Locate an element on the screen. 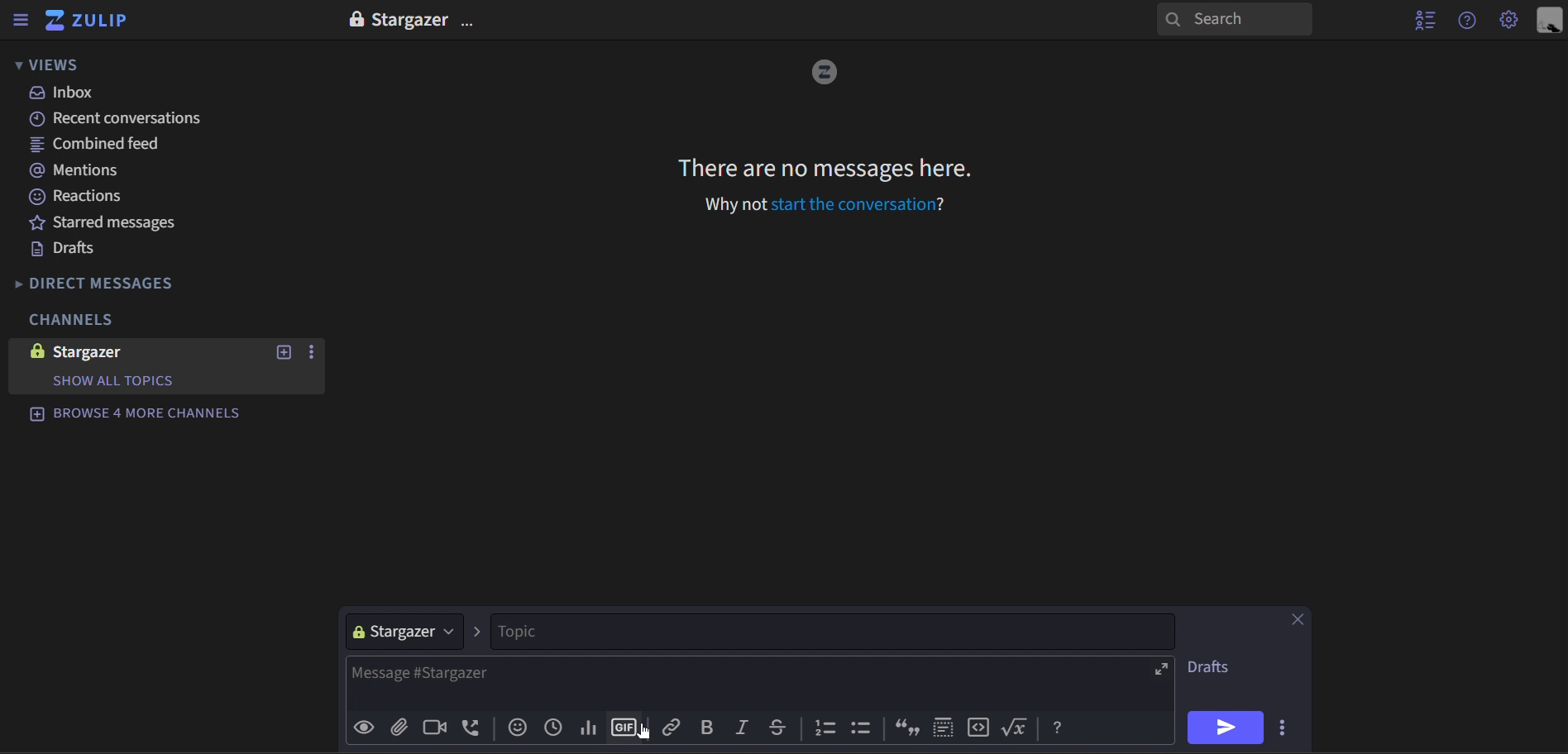 The image size is (1568, 754). inbox is located at coordinates (129, 92).